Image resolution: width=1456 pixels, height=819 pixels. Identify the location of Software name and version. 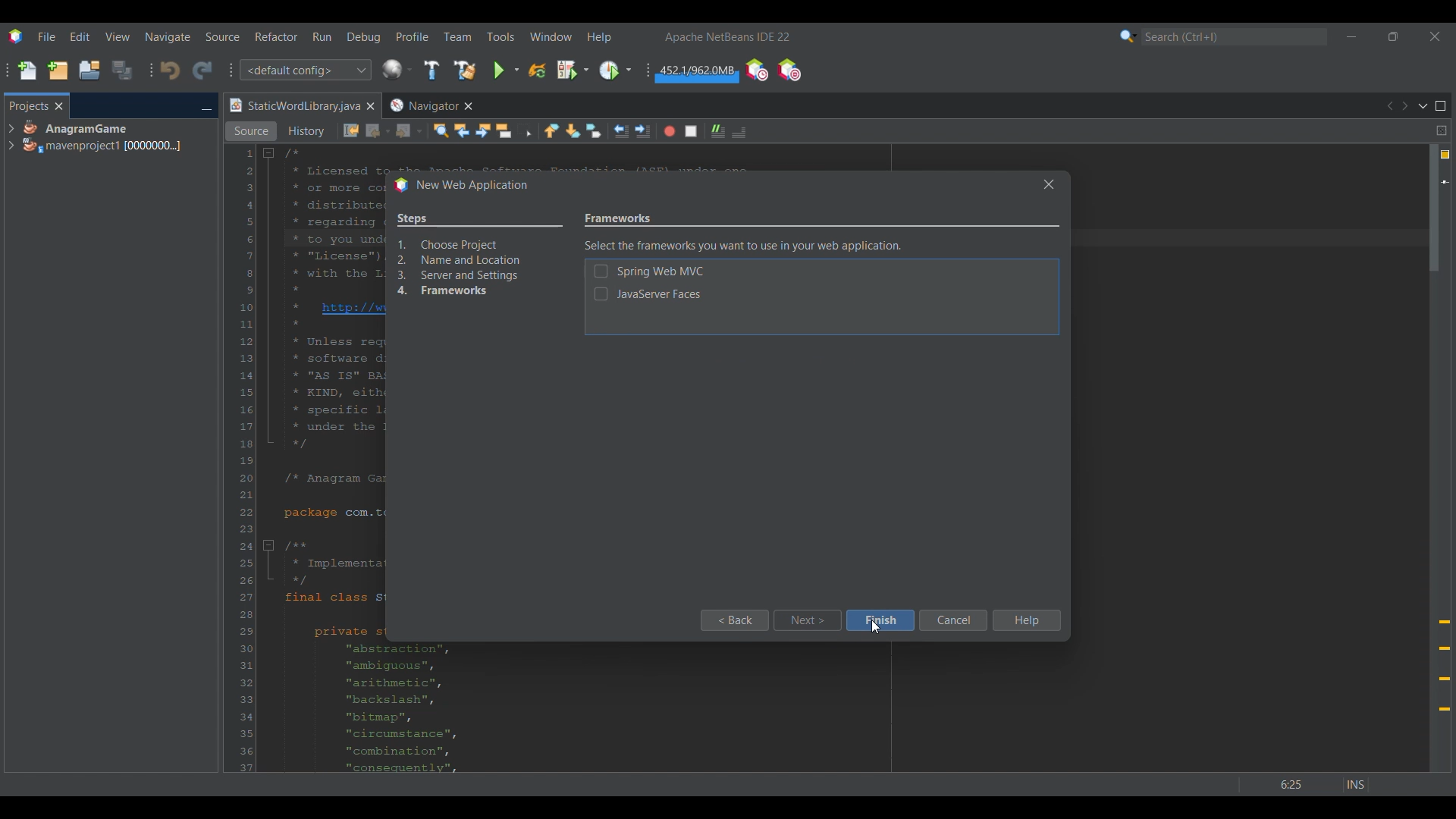
(728, 36).